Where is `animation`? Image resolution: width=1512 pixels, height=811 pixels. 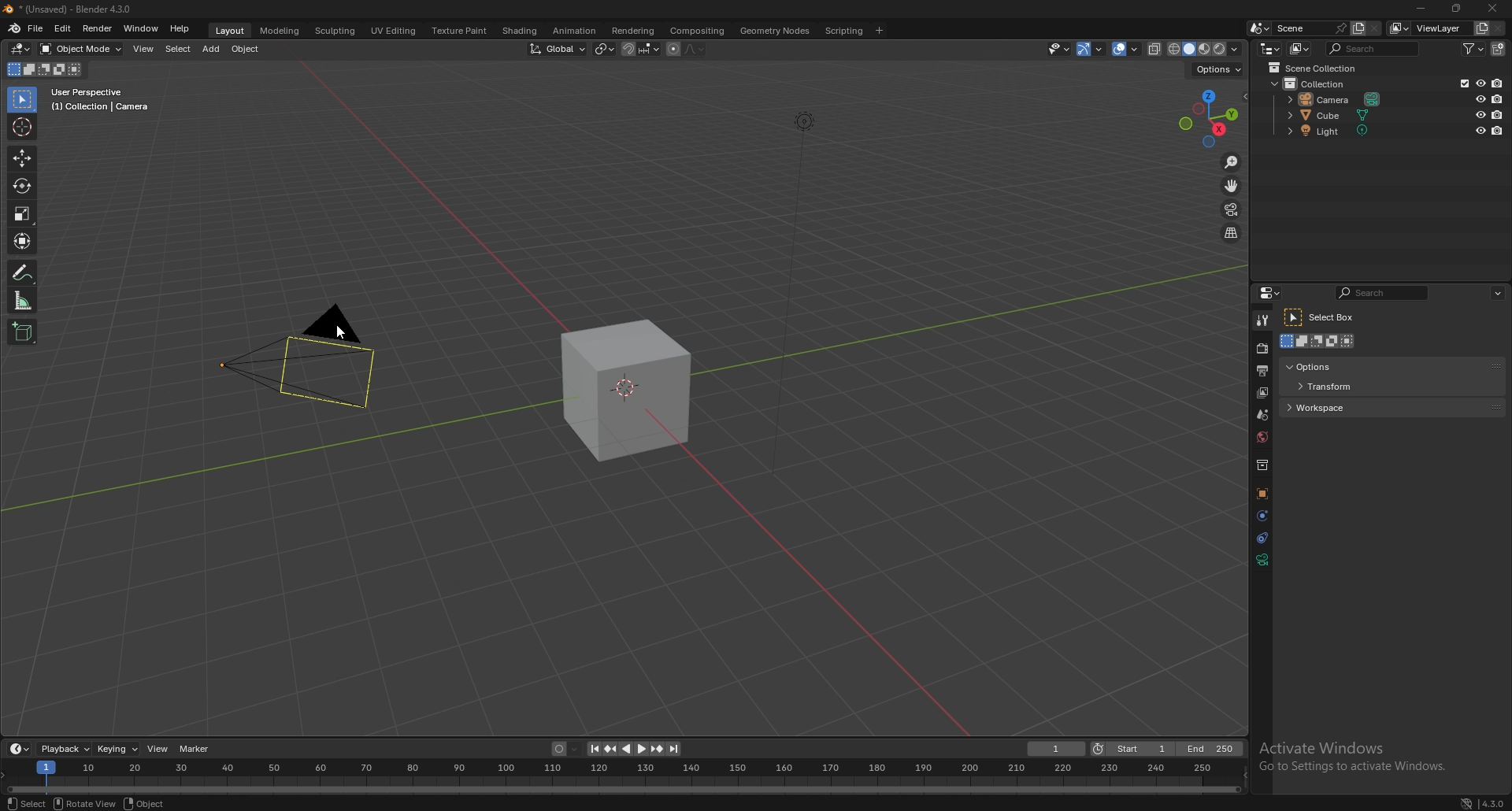 animation is located at coordinates (573, 30).